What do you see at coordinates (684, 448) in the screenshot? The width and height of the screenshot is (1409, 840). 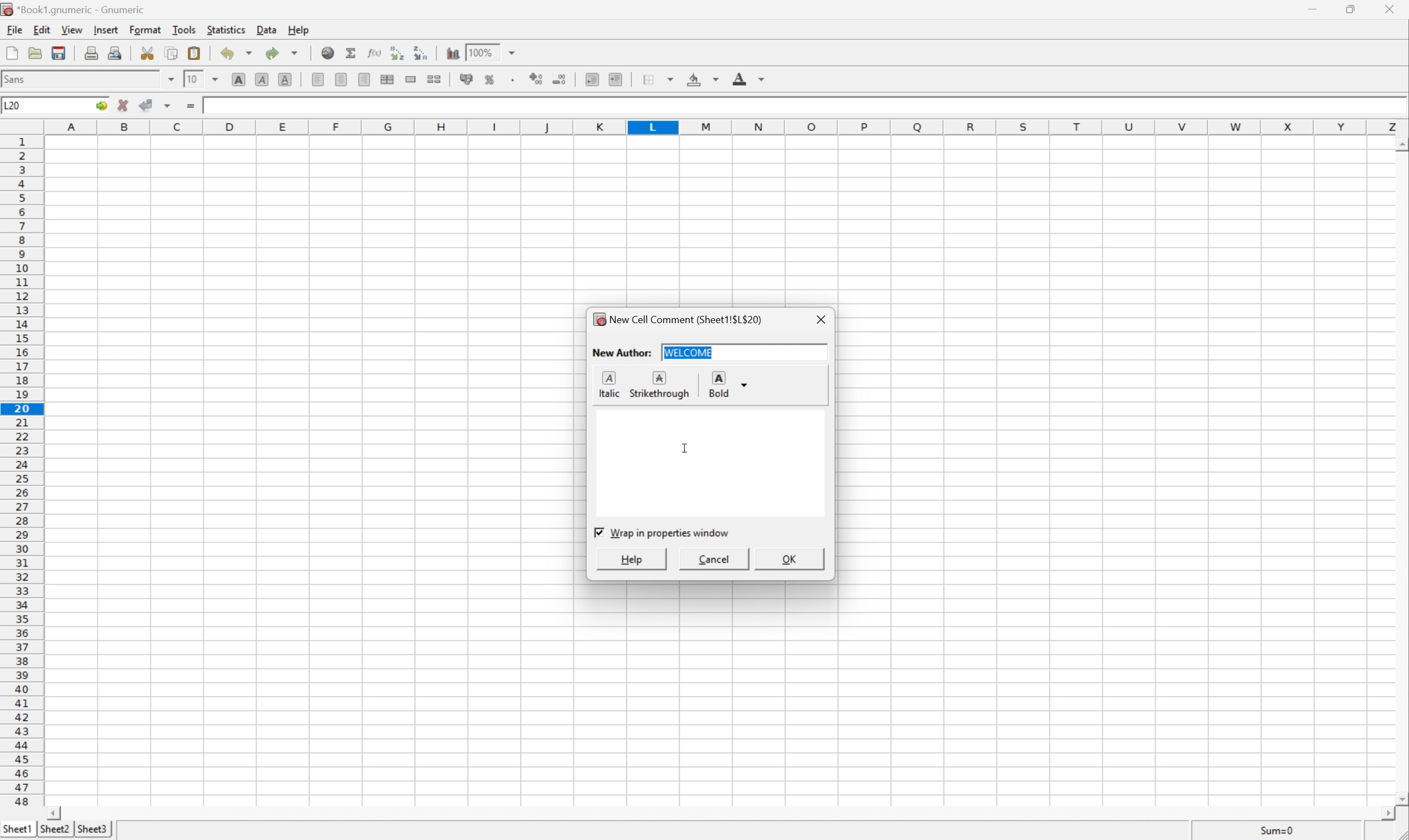 I see `Cursor` at bounding box center [684, 448].